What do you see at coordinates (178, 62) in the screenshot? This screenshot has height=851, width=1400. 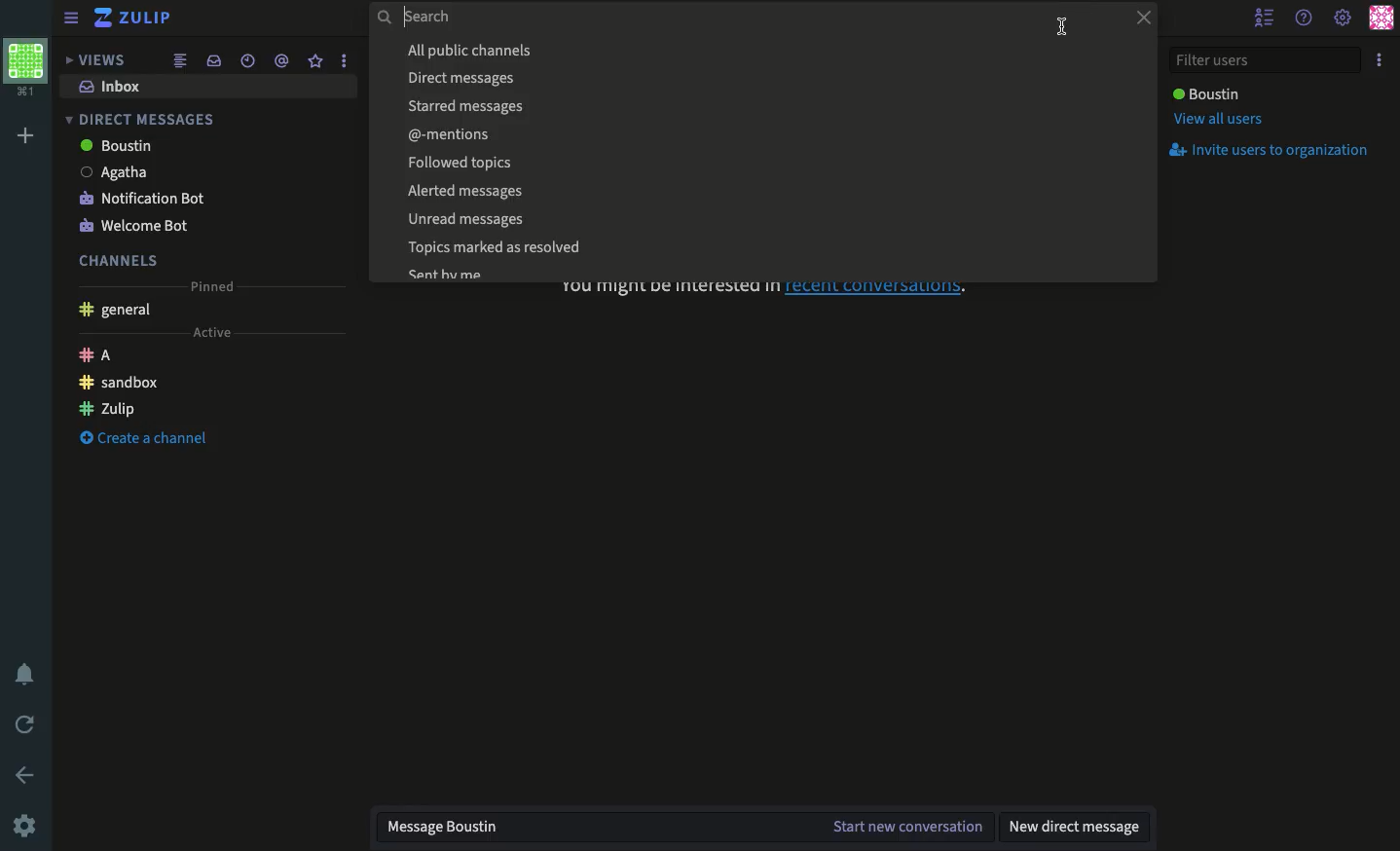 I see `Feed` at bounding box center [178, 62].